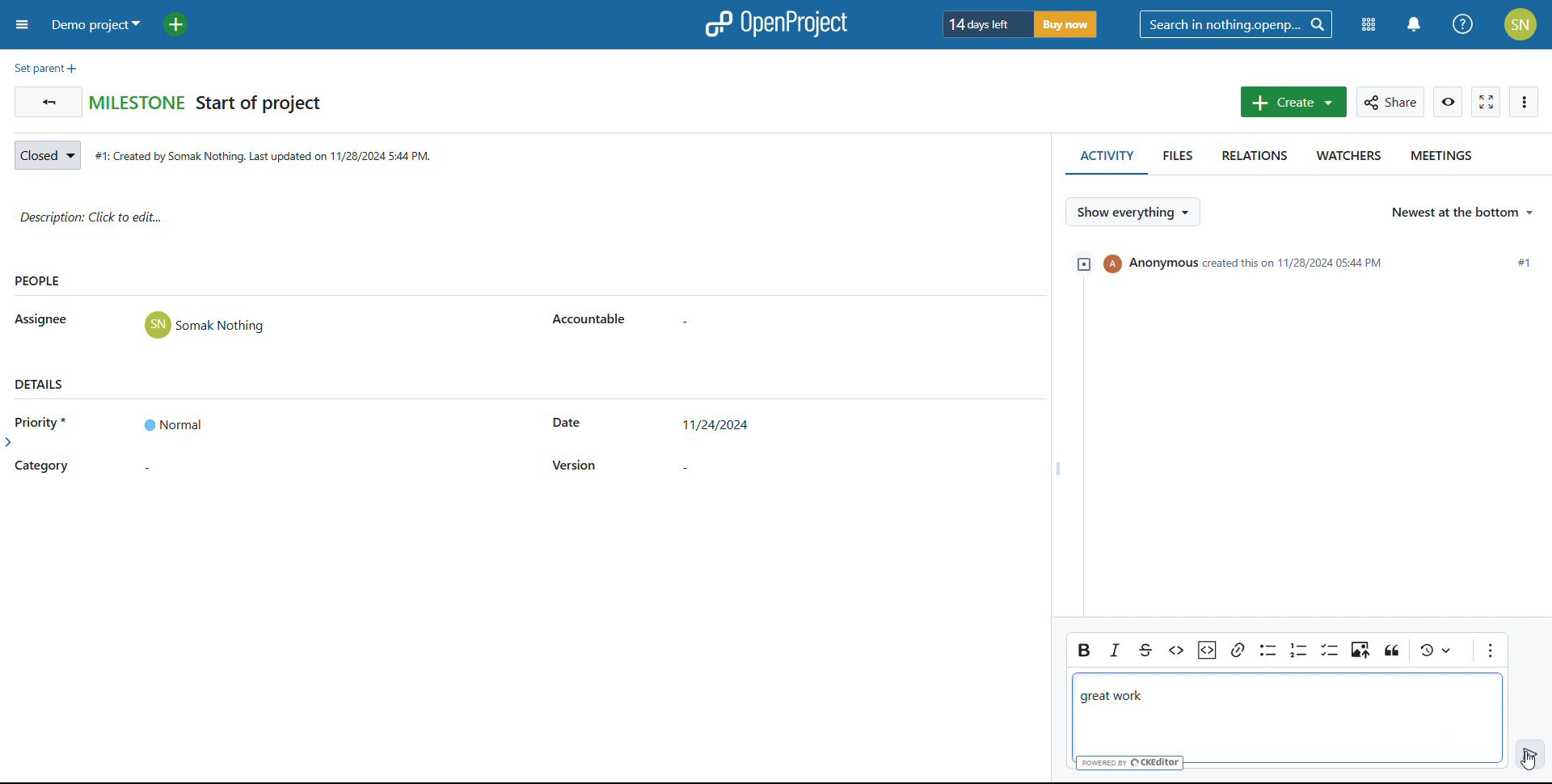 The width and height of the screenshot is (1552, 784). Describe the element at coordinates (591, 320) in the screenshot. I see `accountable` at that location.